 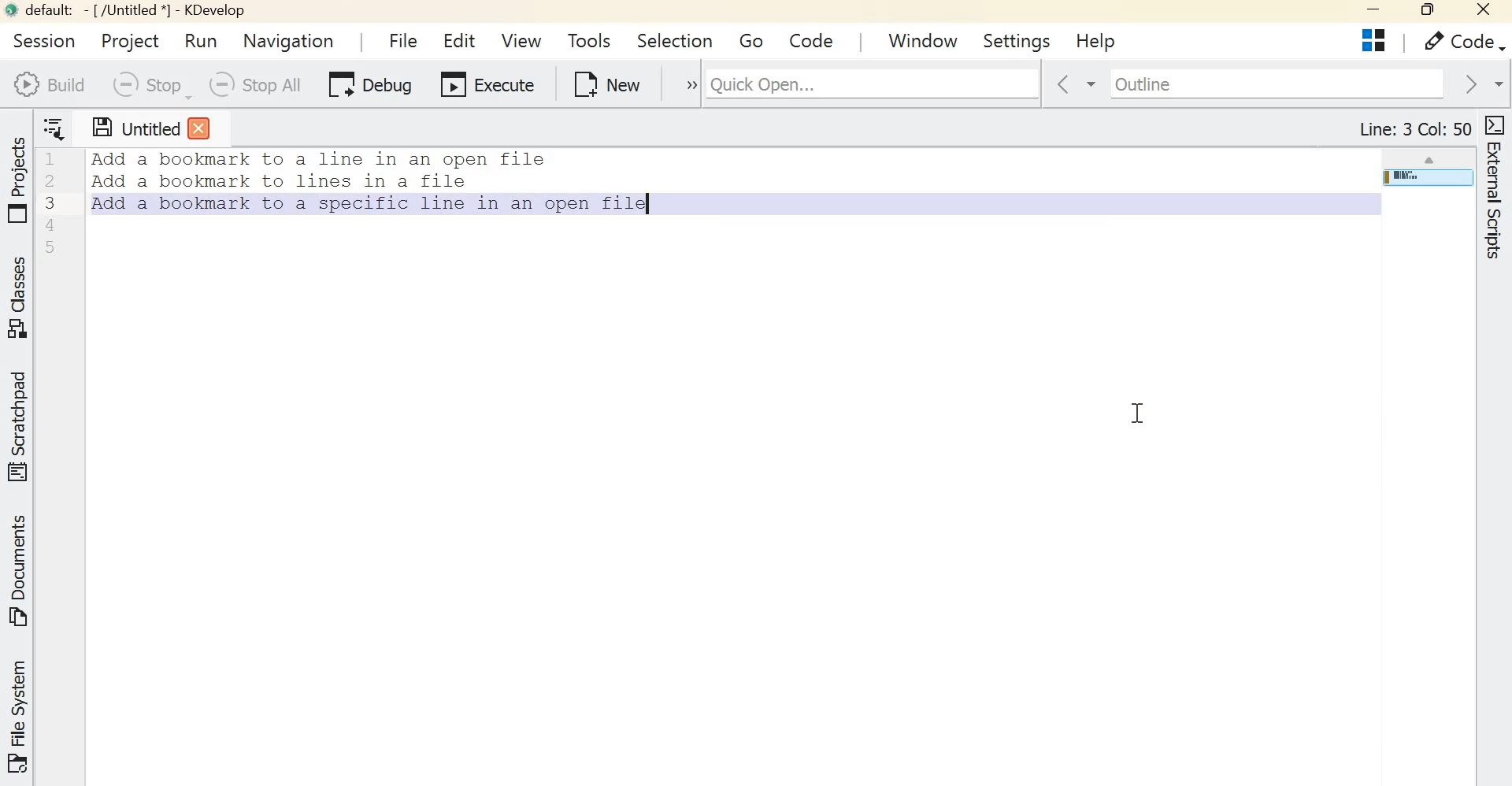 I want to click on Code, so click(x=1463, y=42).